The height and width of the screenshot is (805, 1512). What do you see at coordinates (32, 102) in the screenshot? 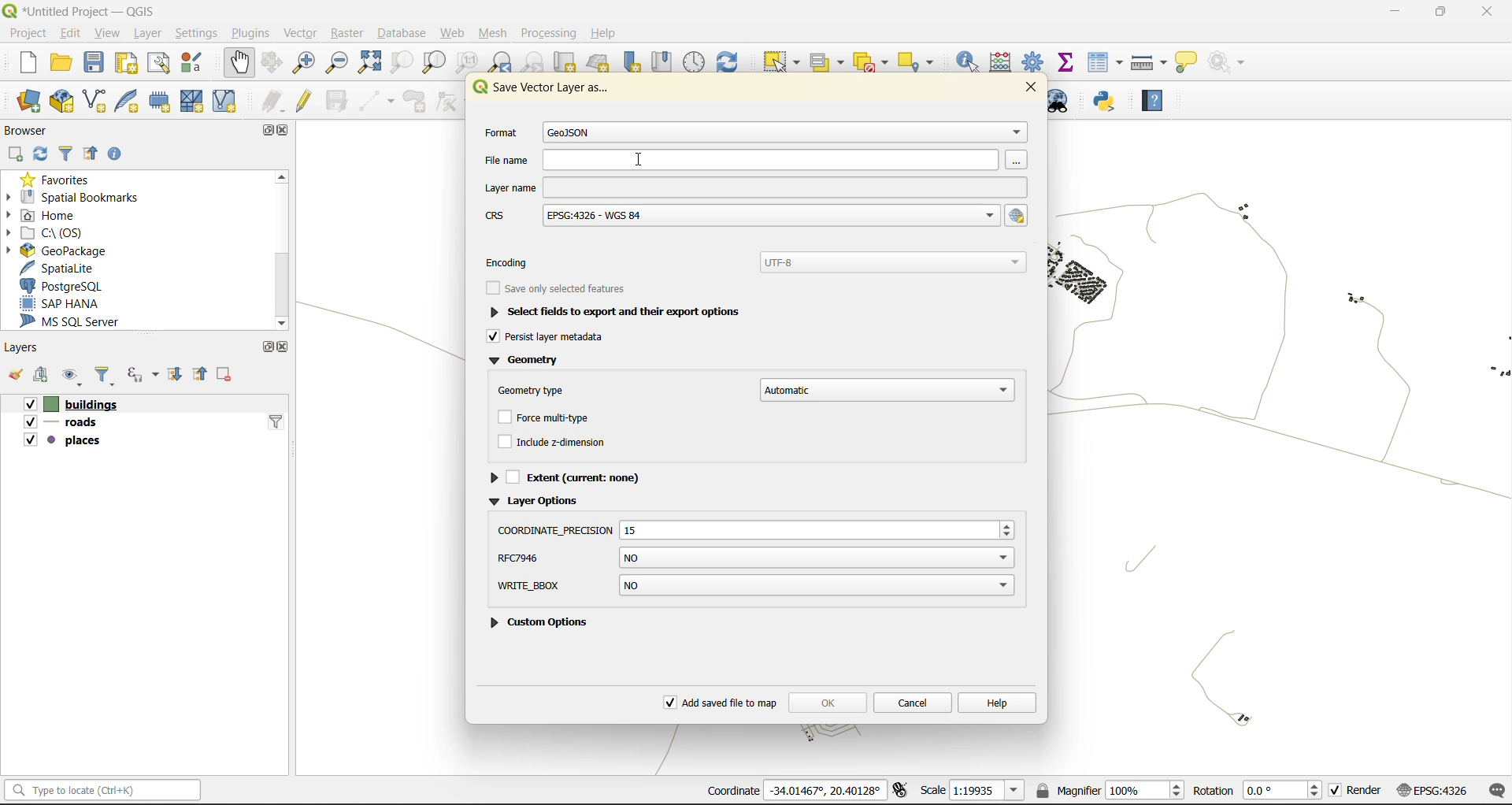
I see `open data source manager` at bounding box center [32, 102].